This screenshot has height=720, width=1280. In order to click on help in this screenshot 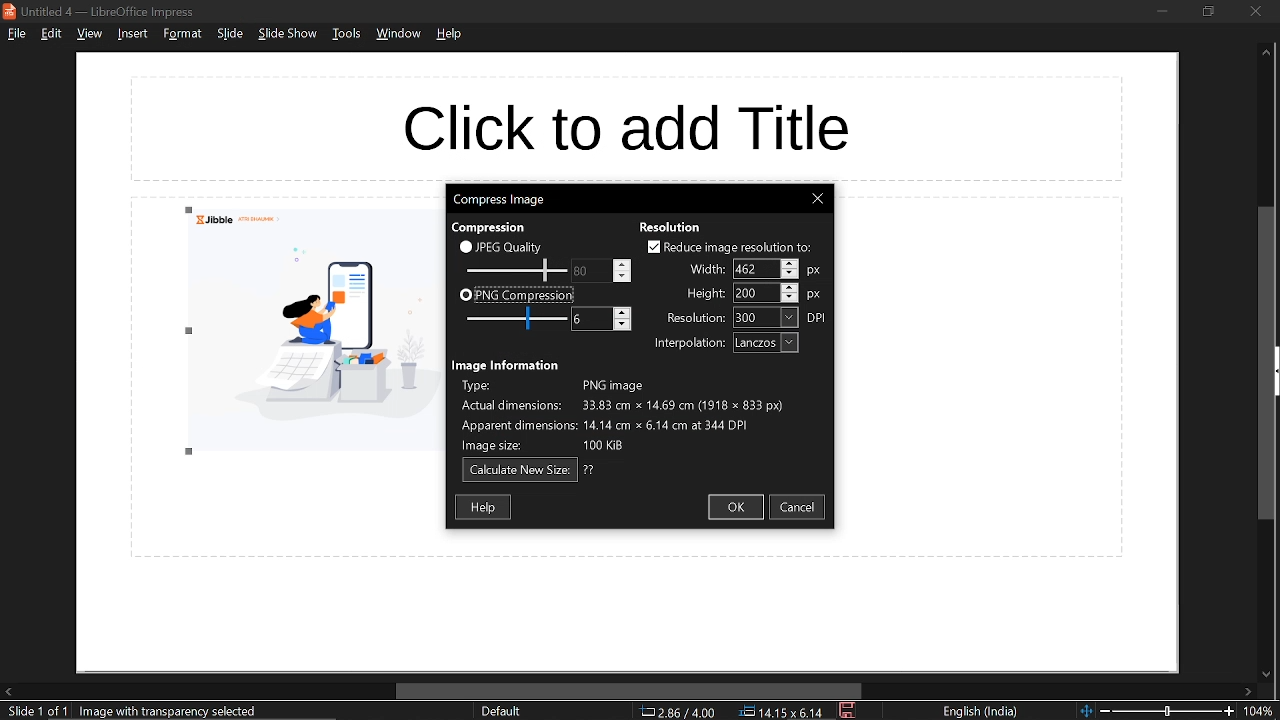, I will do `click(451, 34)`.